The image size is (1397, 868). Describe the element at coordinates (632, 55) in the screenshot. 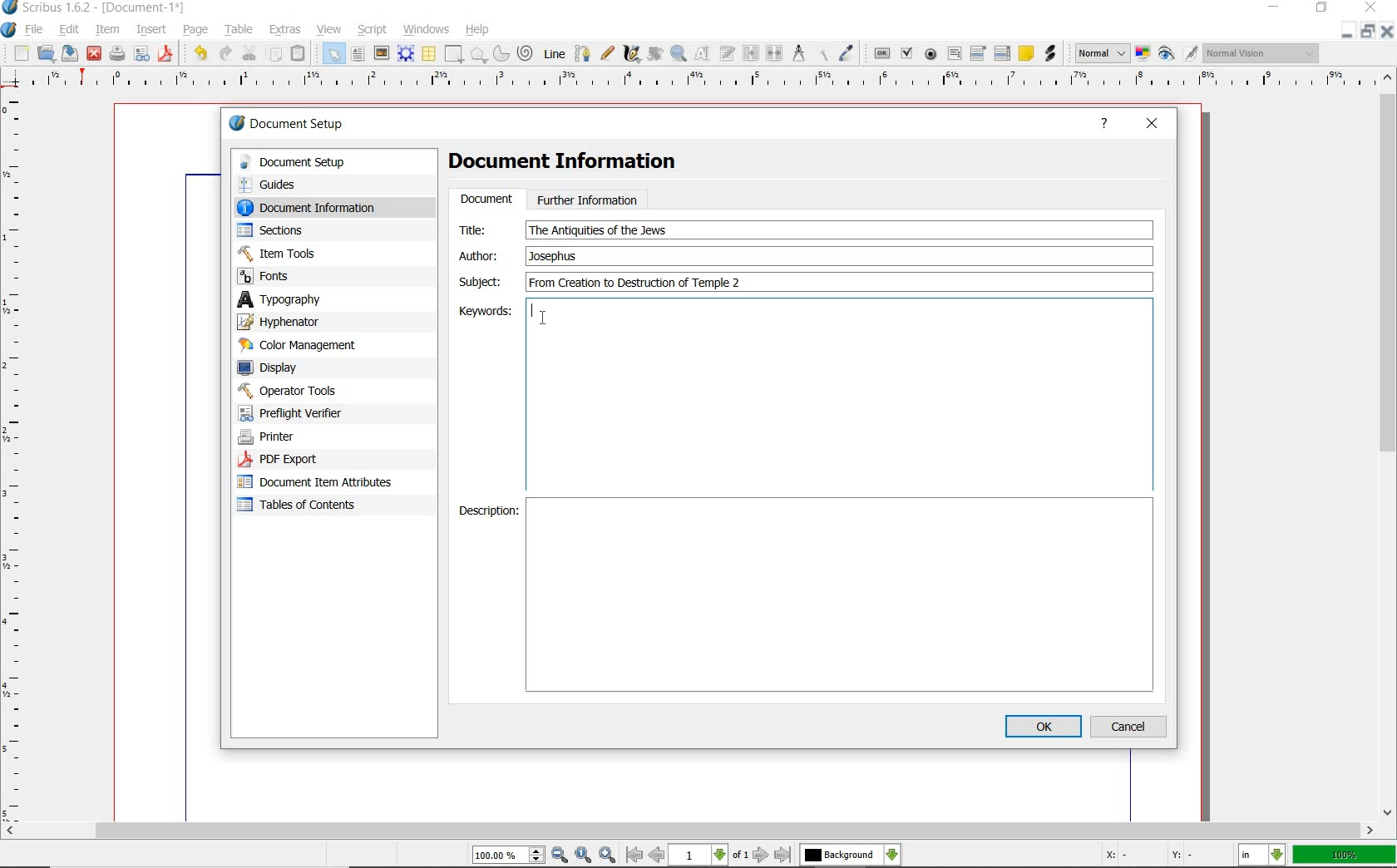

I see `calligraphic line` at that location.